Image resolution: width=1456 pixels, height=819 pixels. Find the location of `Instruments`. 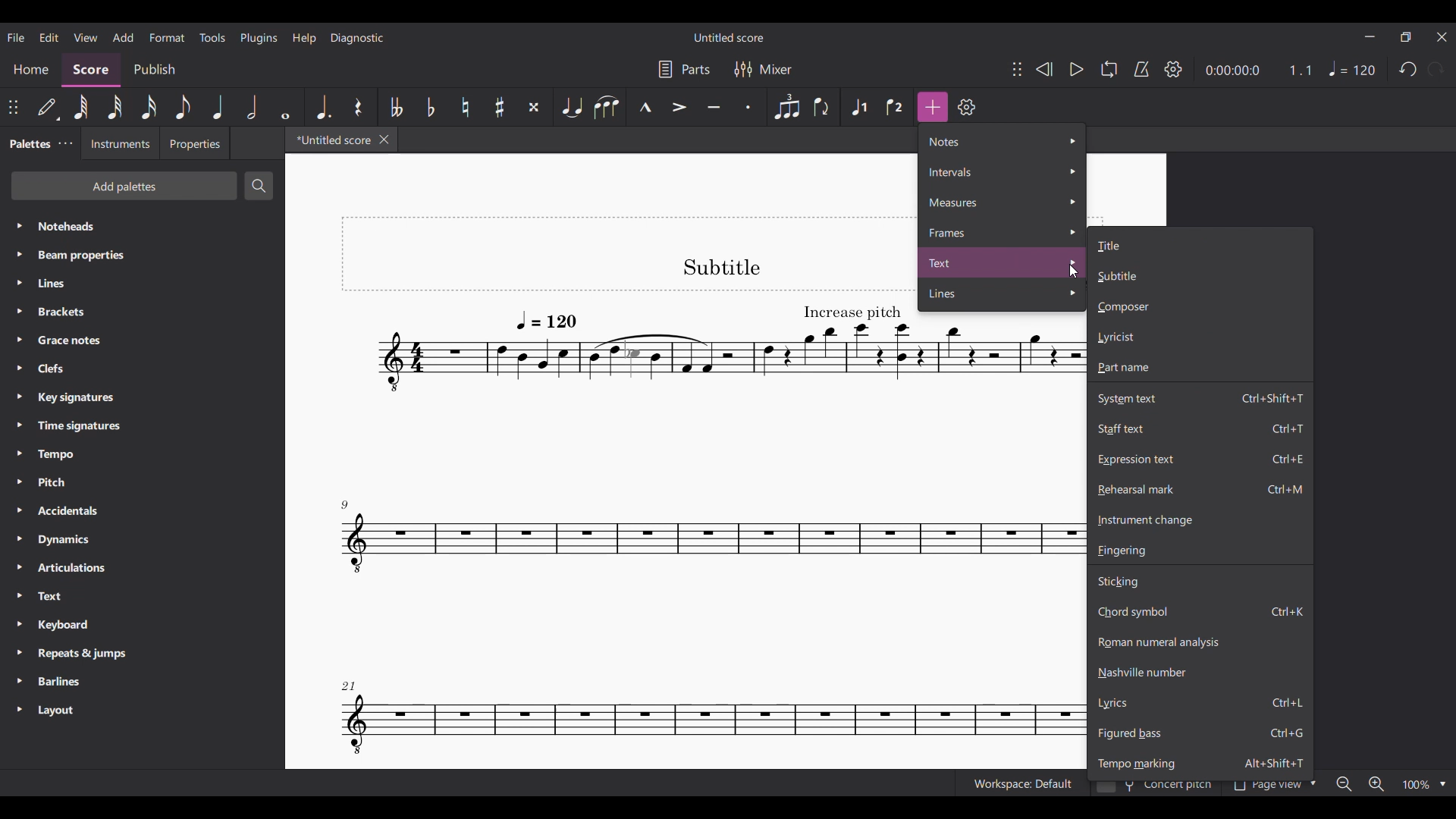

Instruments is located at coordinates (119, 143).